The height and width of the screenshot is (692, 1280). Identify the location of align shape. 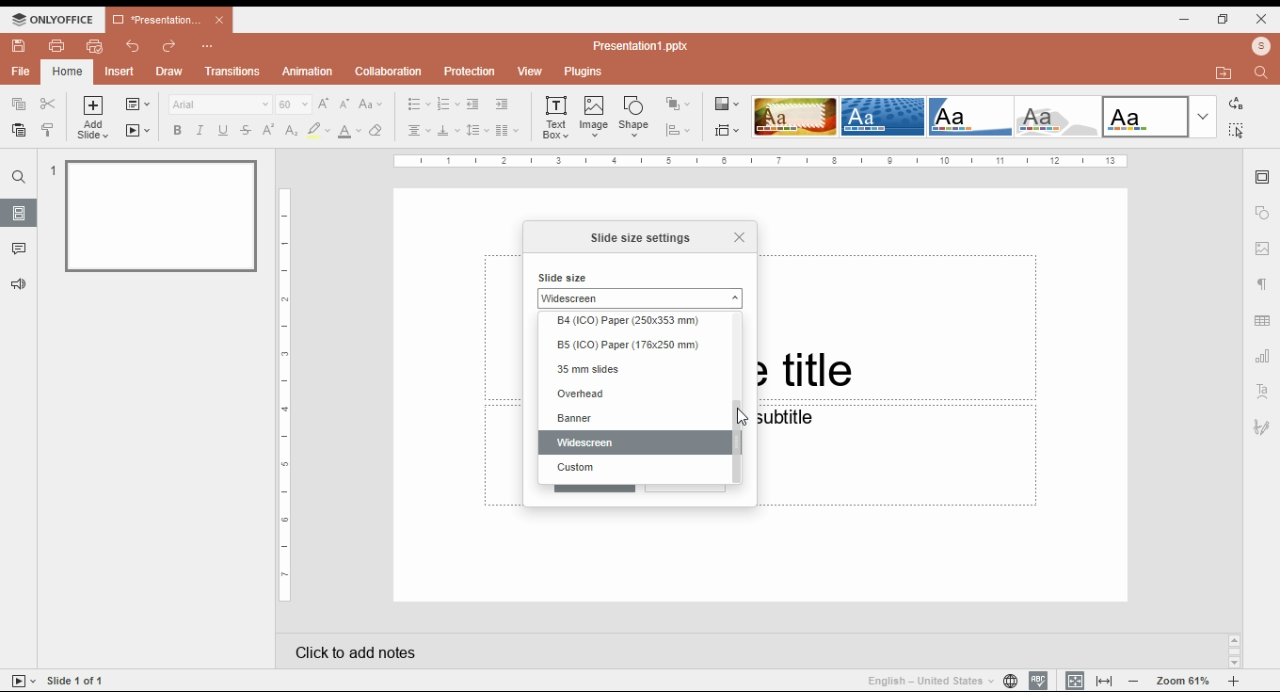
(680, 130).